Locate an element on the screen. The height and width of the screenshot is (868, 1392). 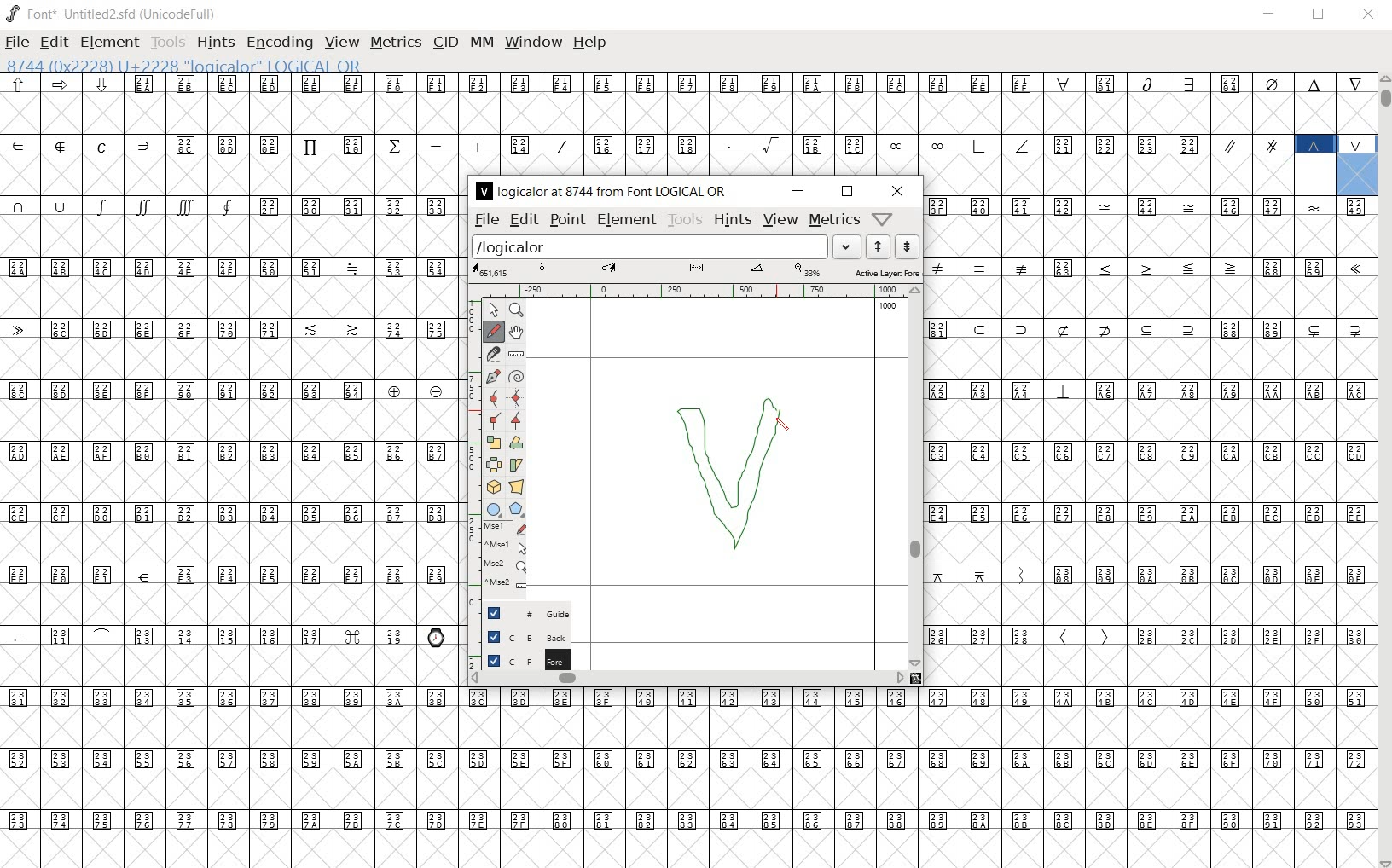
cut splines in two is located at coordinates (491, 353).